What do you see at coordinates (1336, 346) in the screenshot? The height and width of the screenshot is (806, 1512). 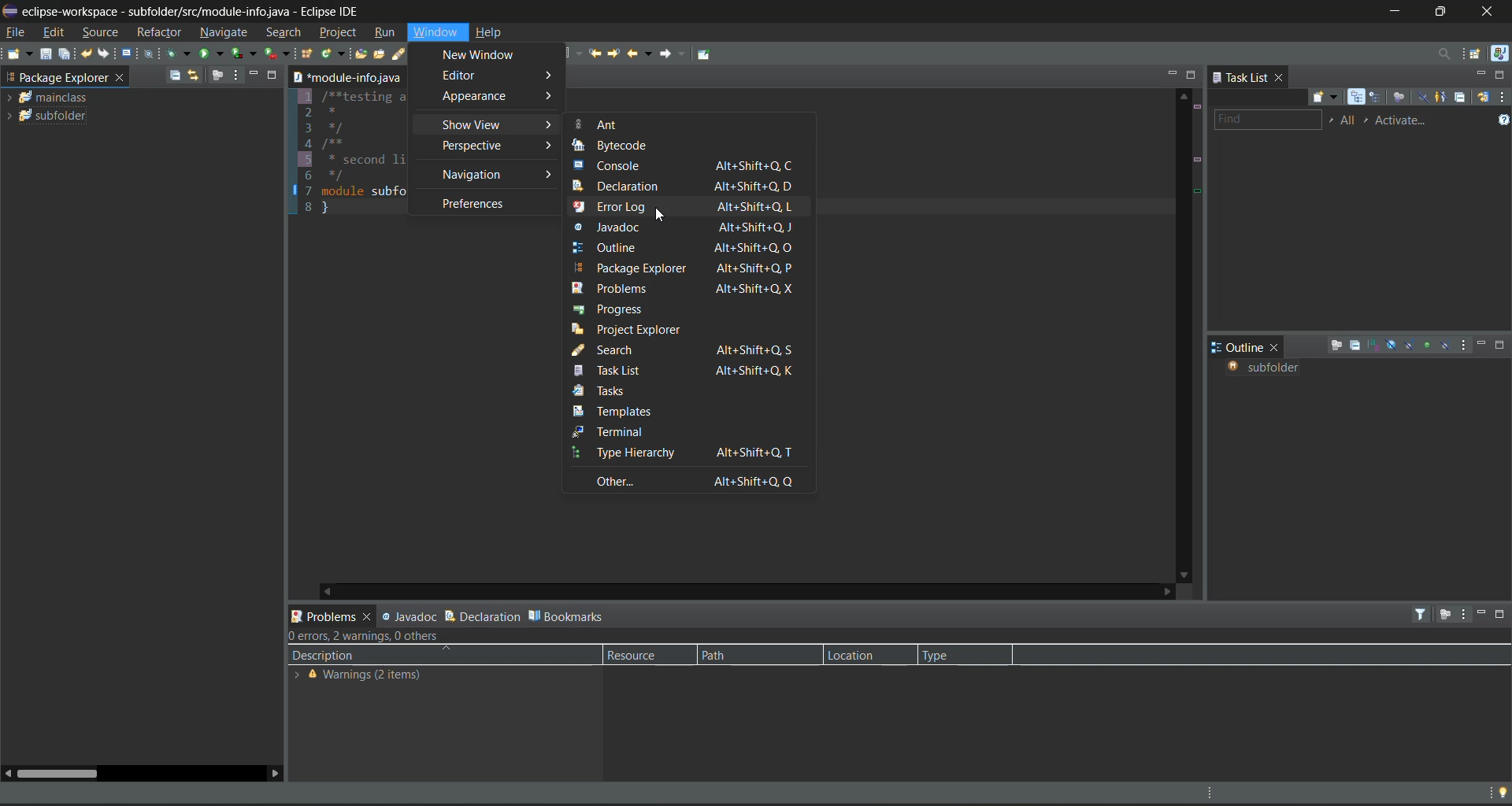 I see `focus on active task` at bounding box center [1336, 346].